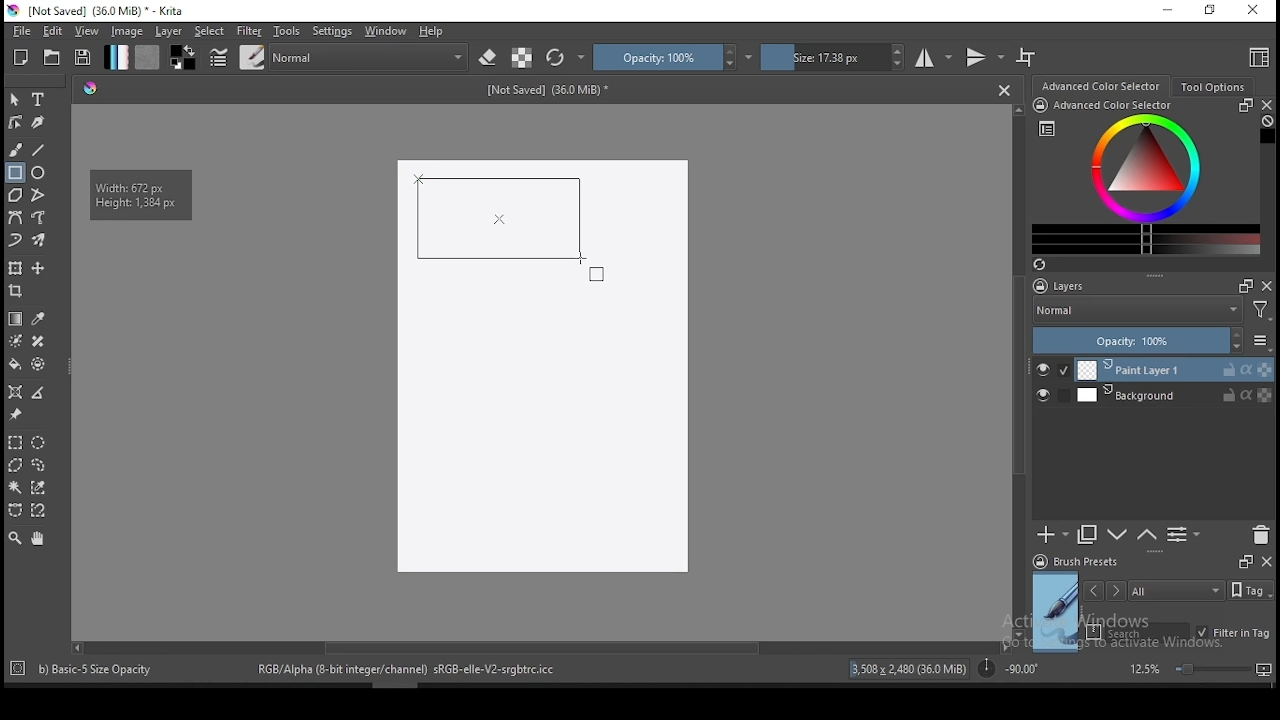 The height and width of the screenshot is (720, 1280). Describe the element at coordinates (1266, 560) in the screenshot. I see `close docker` at that location.